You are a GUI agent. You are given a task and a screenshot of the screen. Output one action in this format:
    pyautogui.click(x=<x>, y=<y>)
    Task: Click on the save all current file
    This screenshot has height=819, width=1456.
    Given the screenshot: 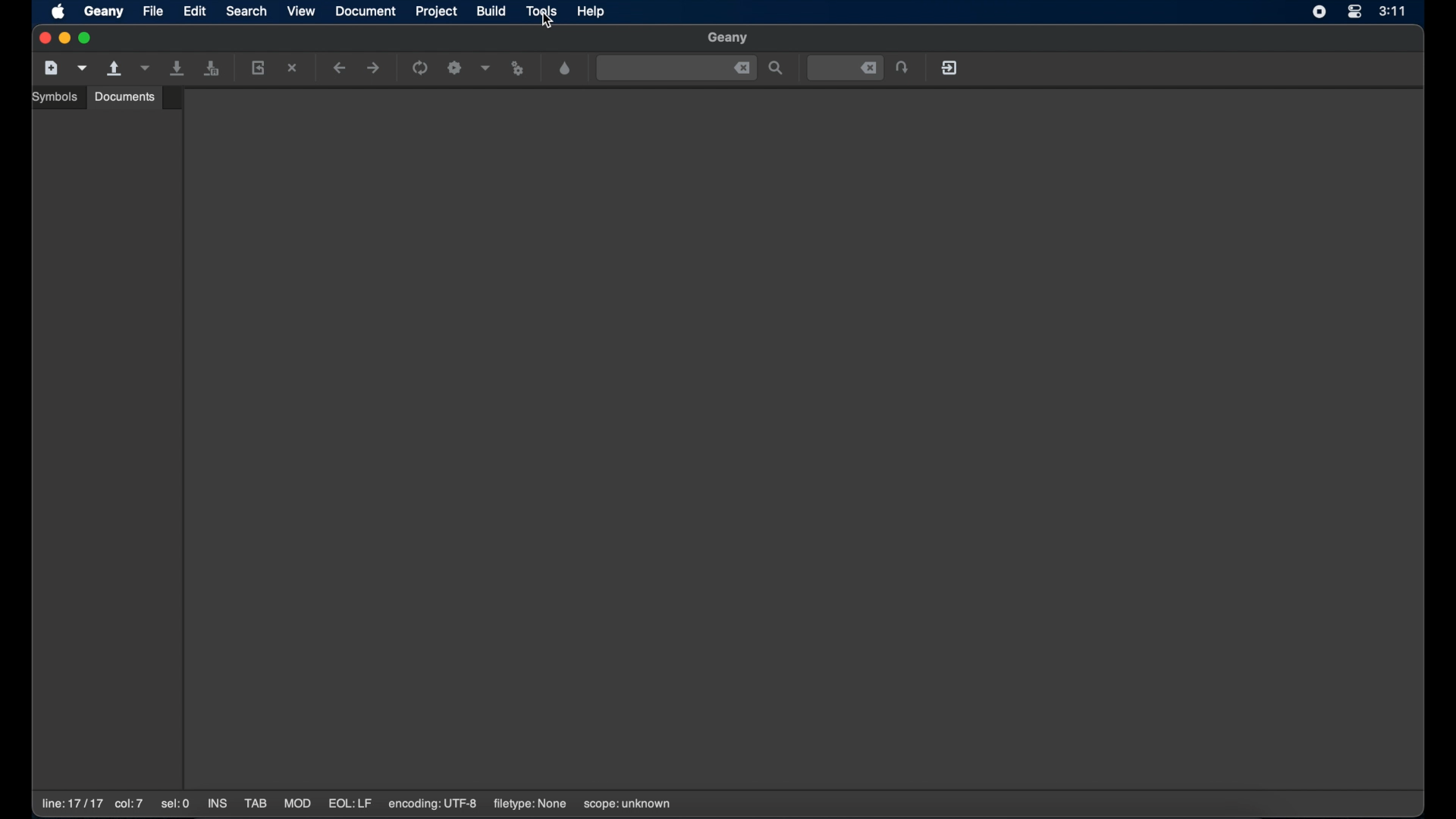 What is the action you would take?
    pyautogui.click(x=178, y=68)
    